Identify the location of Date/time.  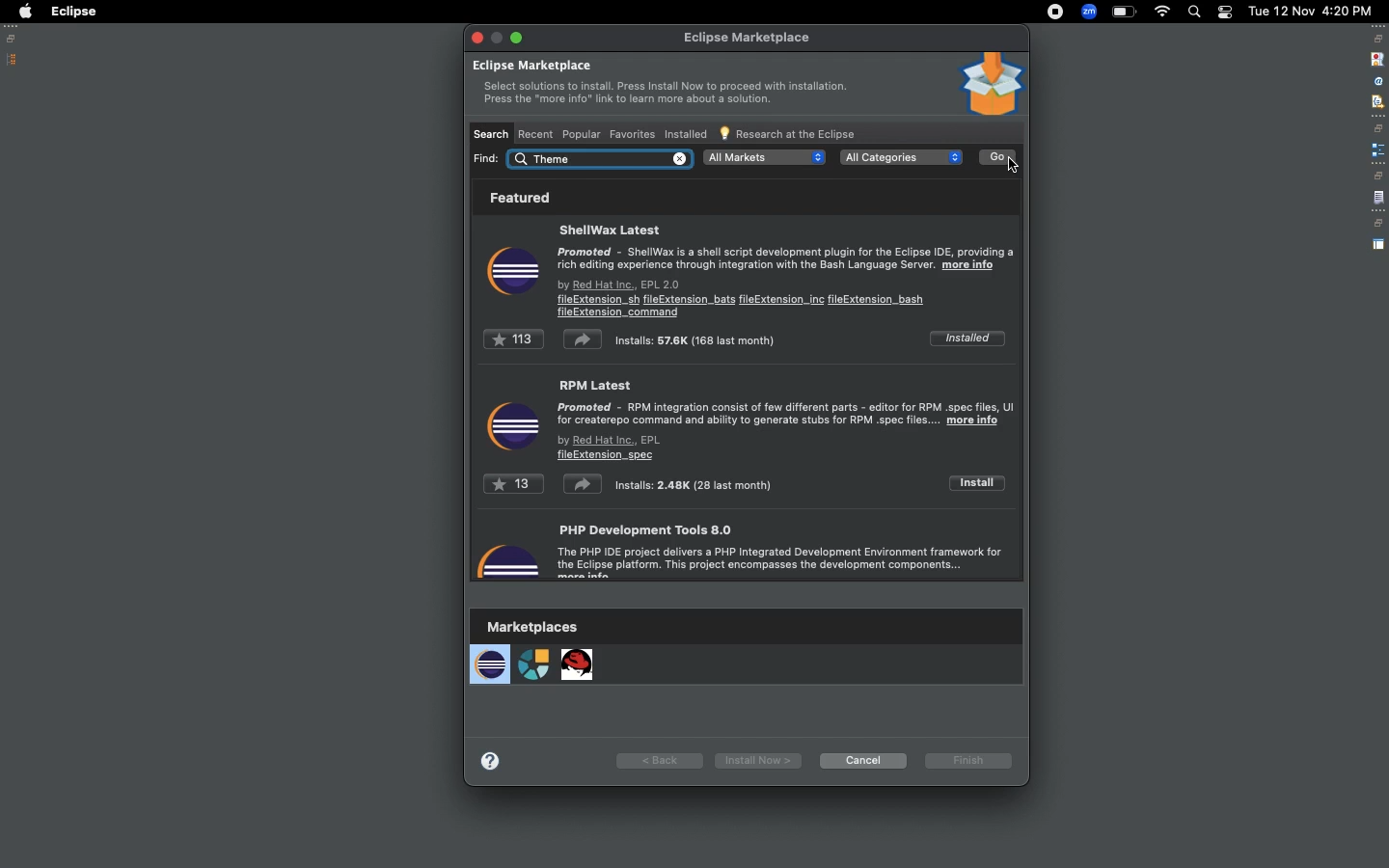
(1312, 10).